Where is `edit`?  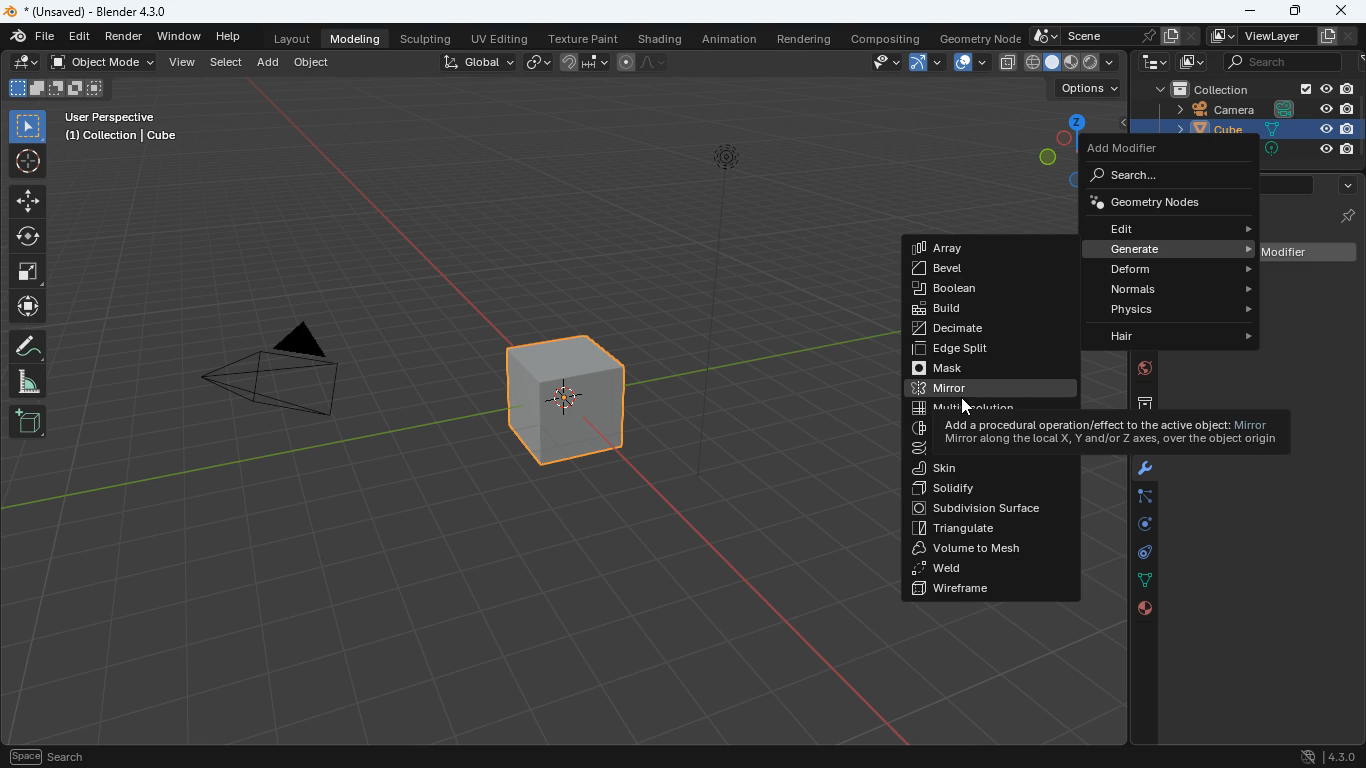
edit is located at coordinates (1171, 229).